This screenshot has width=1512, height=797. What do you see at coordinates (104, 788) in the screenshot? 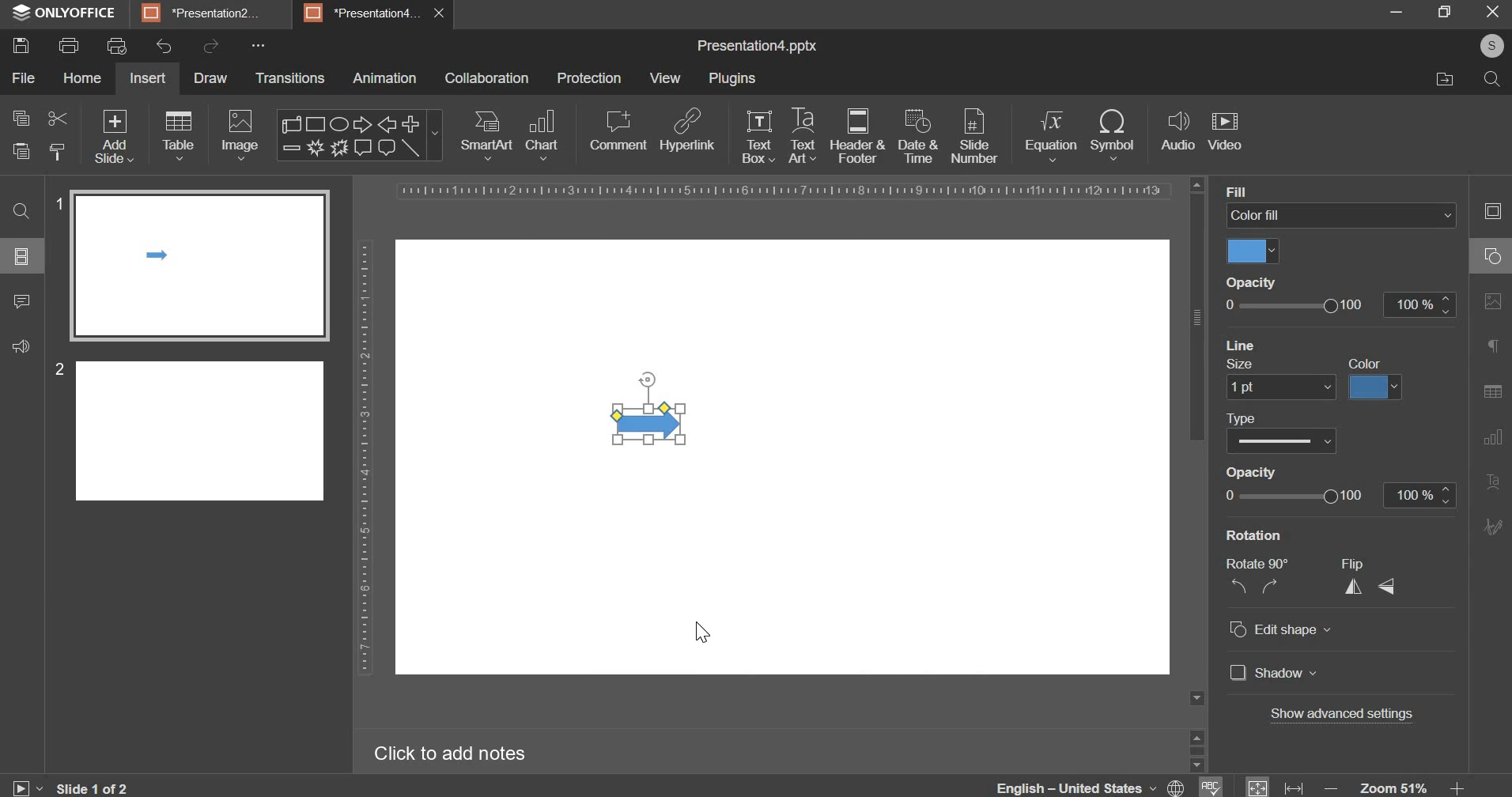
I see `+ Slide 10f2` at bounding box center [104, 788].